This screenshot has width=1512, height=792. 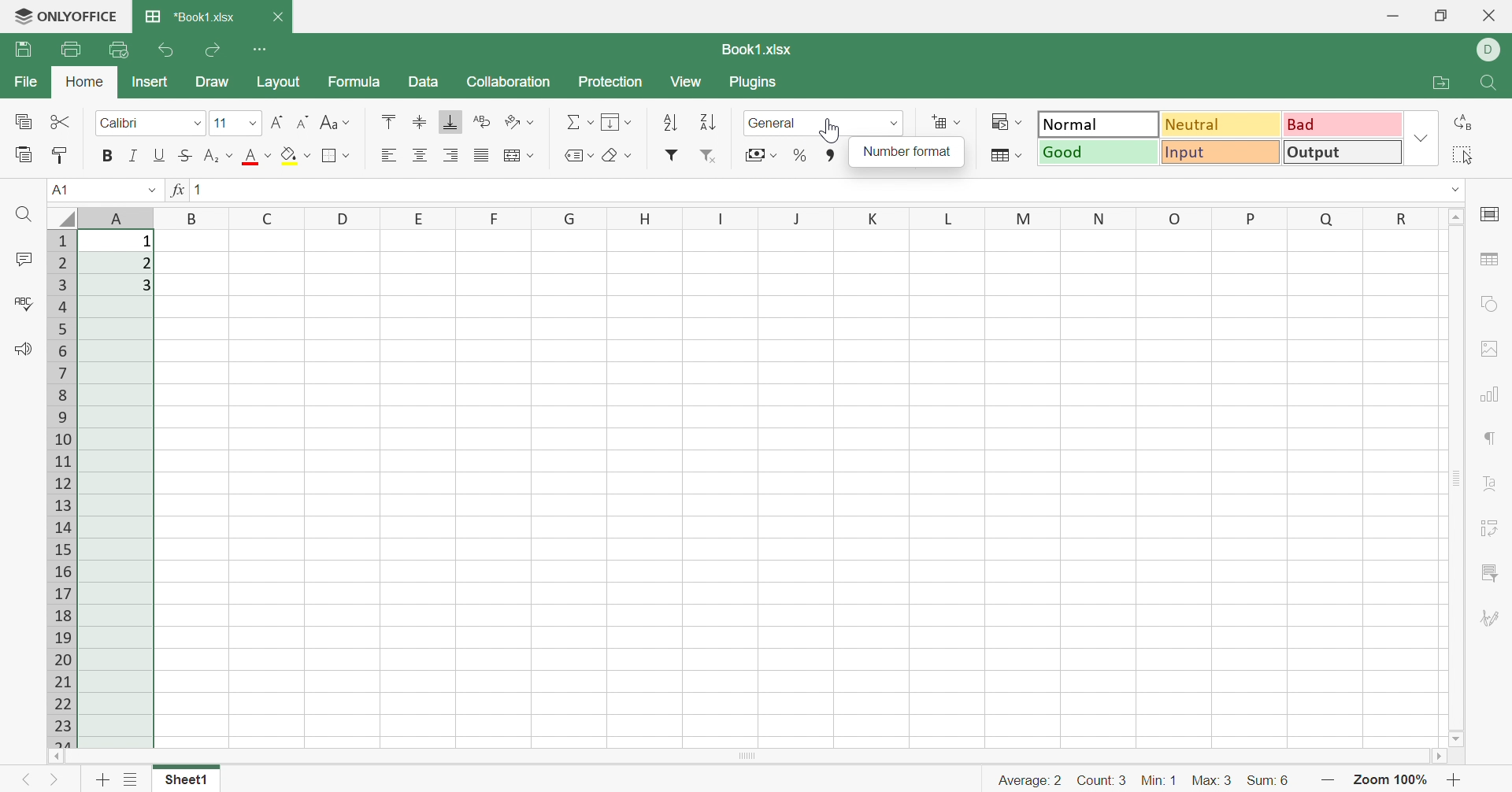 What do you see at coordinates (198, 189) in the screenshot?
I see `1` at bounding box center [198, 189].